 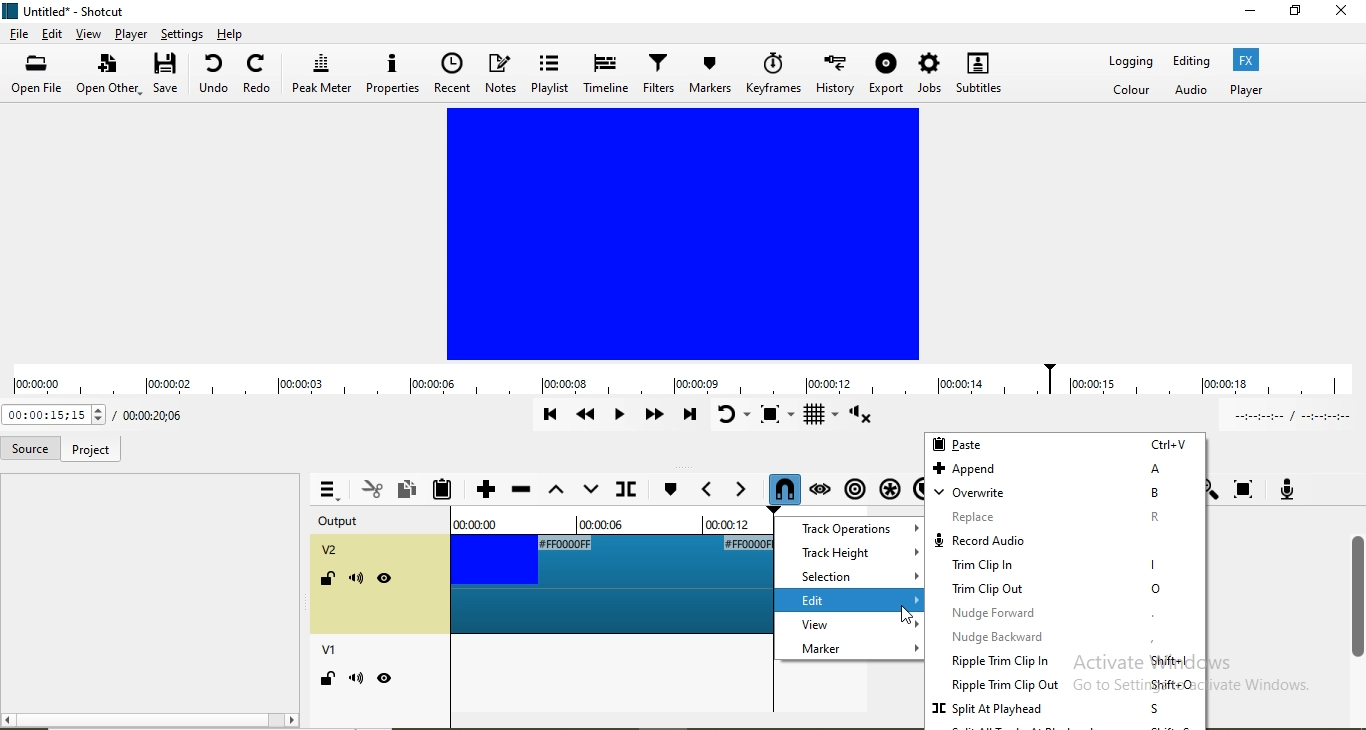 I want to click on mute, so click(x=356, y=678).